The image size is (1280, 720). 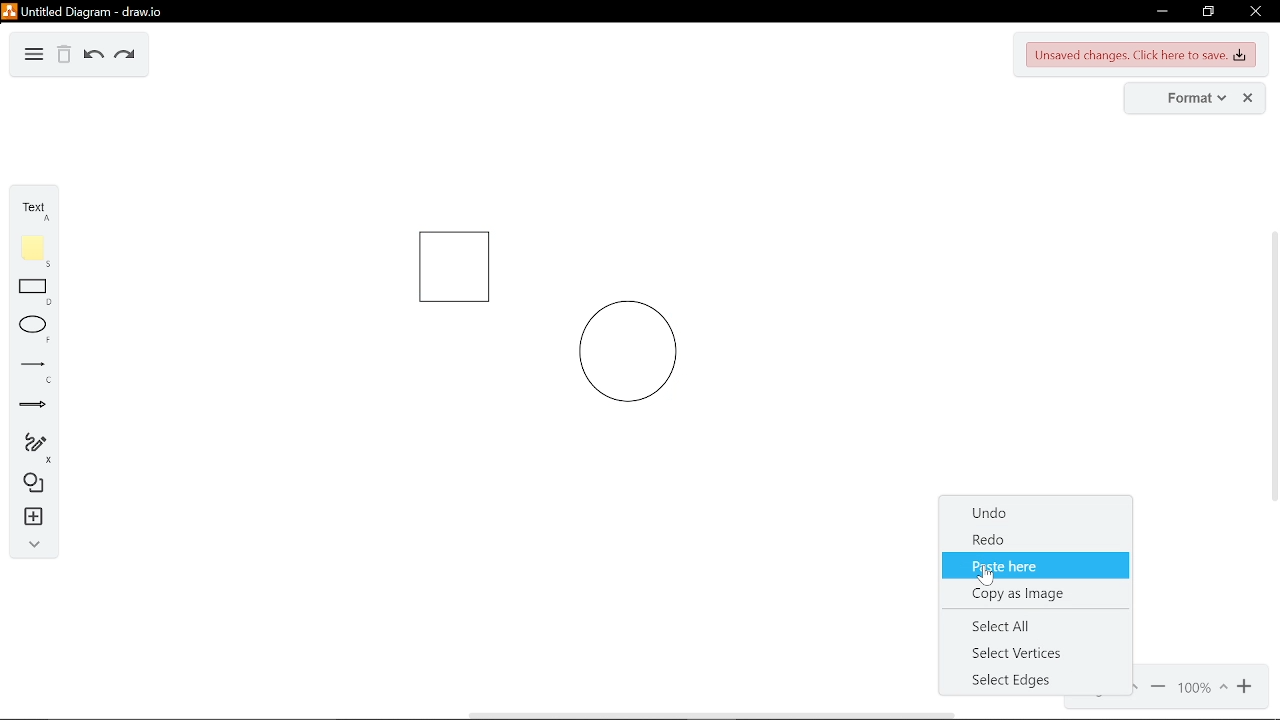 I want to click on Unsaved changes. Click here to save, so click(x=1142, y=56).